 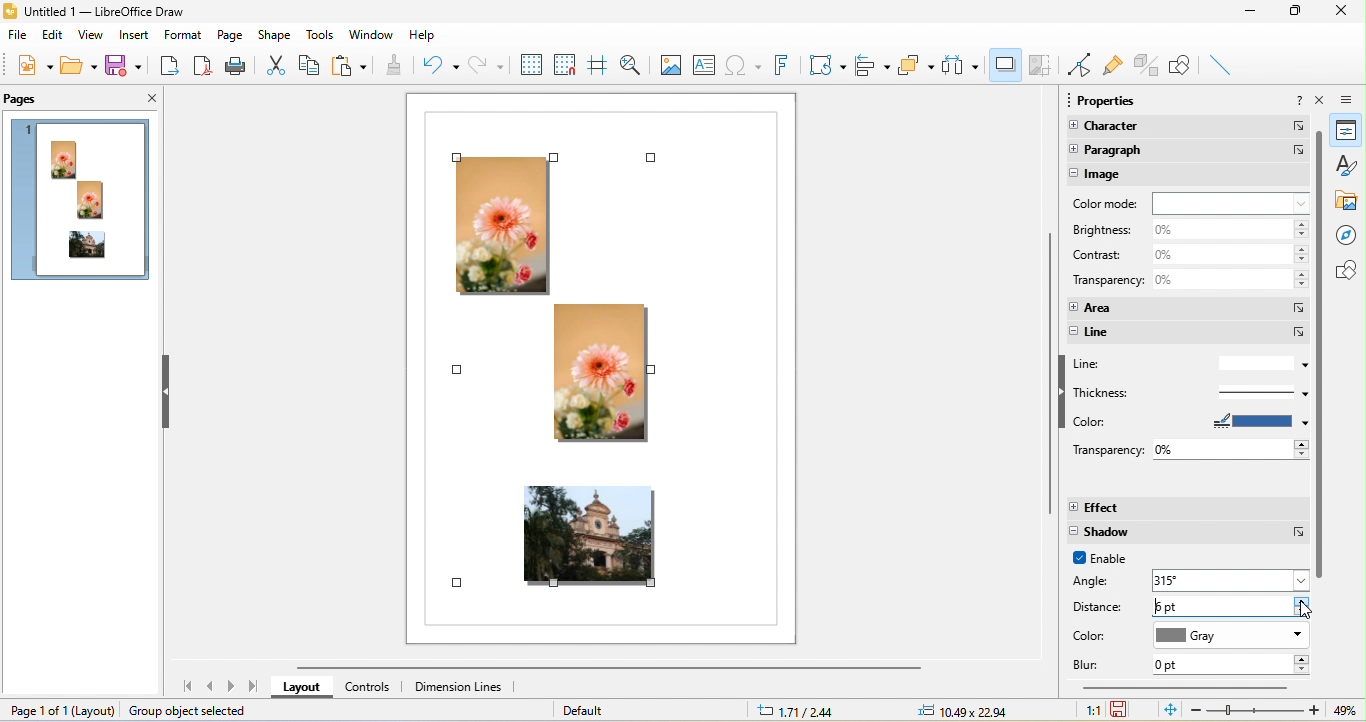 I want to click on first page, so click(x=184, y=688).